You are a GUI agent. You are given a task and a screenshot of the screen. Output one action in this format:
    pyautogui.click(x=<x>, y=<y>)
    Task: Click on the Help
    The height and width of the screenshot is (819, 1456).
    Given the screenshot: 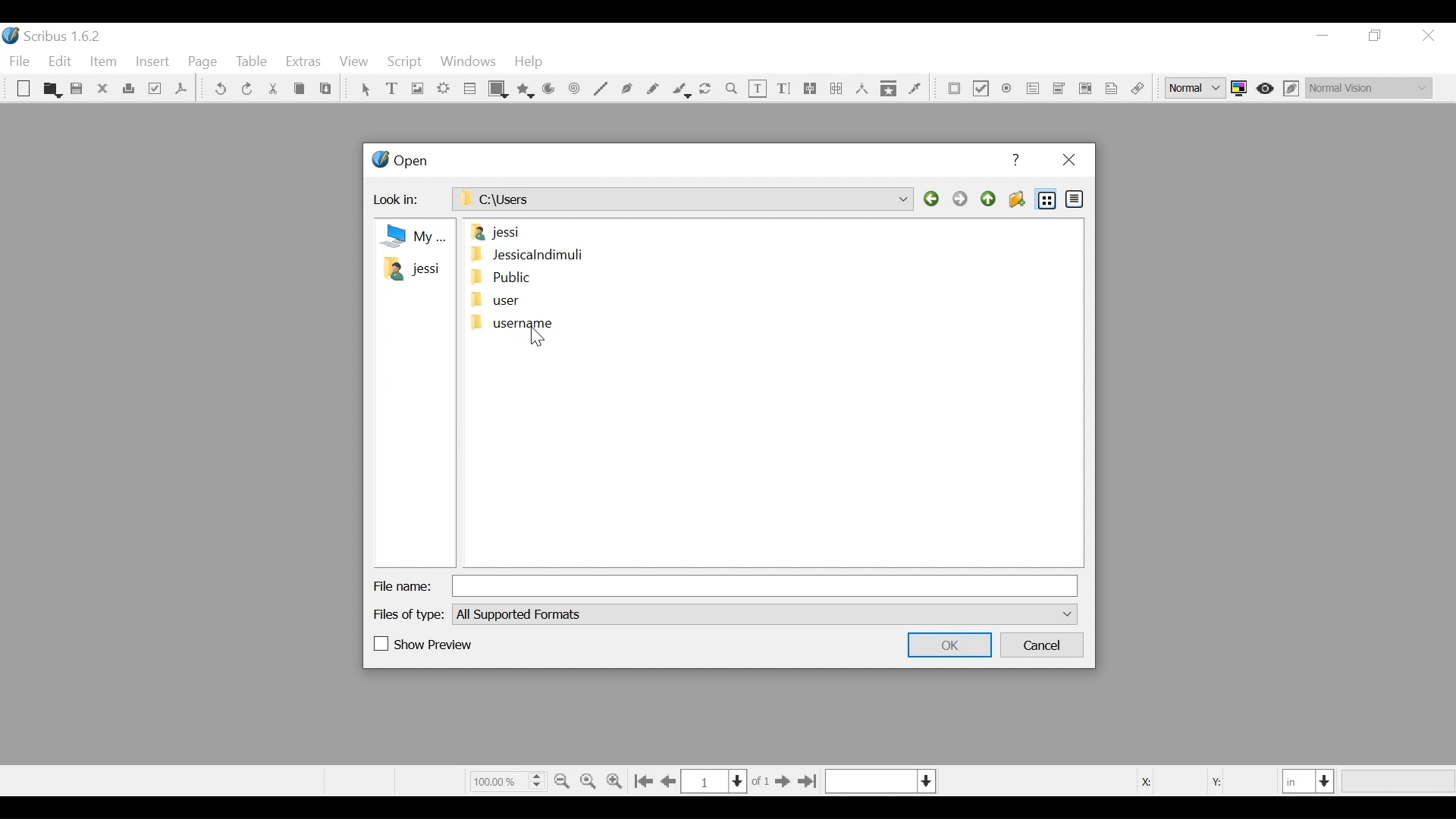 What is the action you would take?
    pyautogui.click(x=1018, y=160)
    